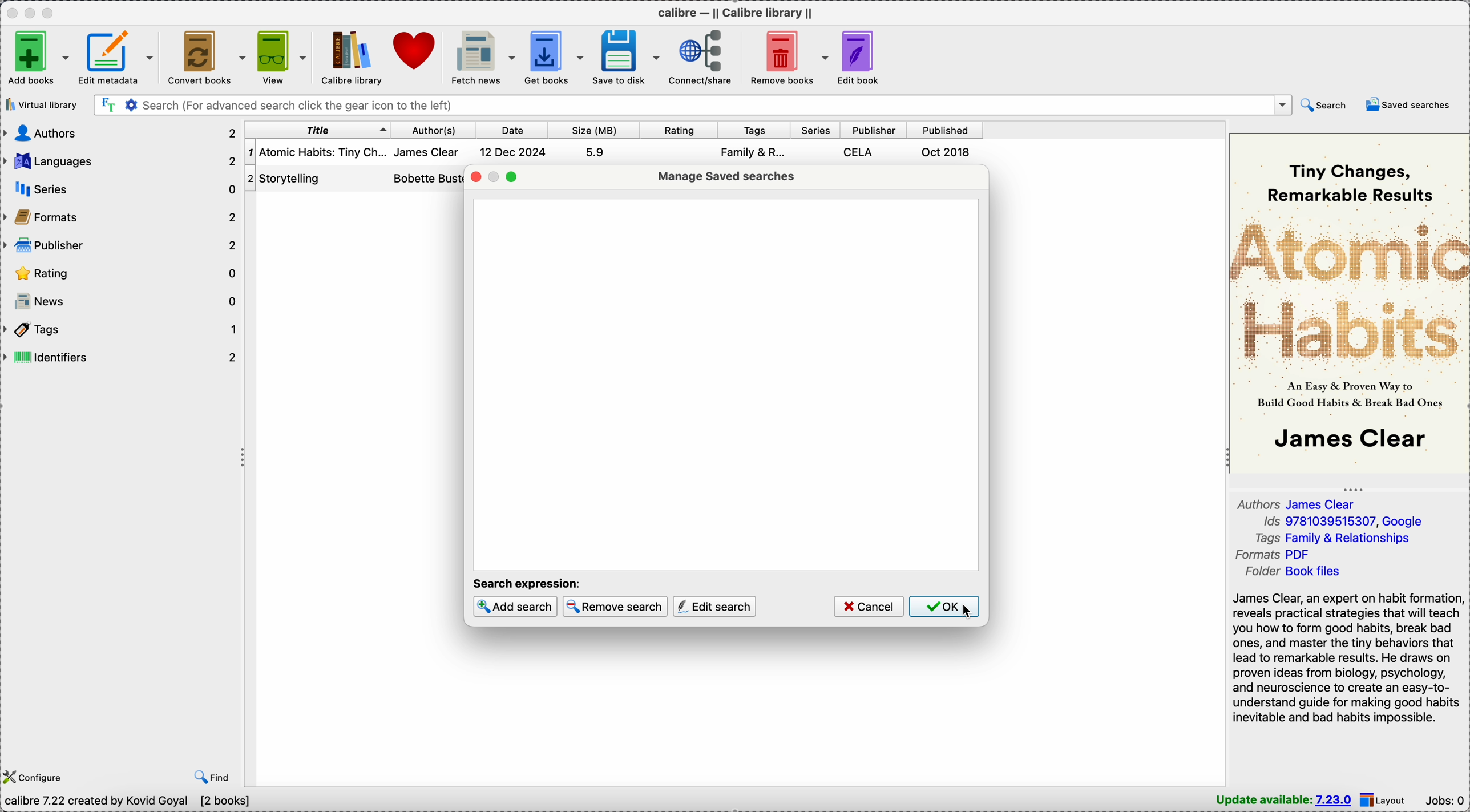  Describe the element at coordinates (693, 104) in the screenshot. I see `search bar` at that location.